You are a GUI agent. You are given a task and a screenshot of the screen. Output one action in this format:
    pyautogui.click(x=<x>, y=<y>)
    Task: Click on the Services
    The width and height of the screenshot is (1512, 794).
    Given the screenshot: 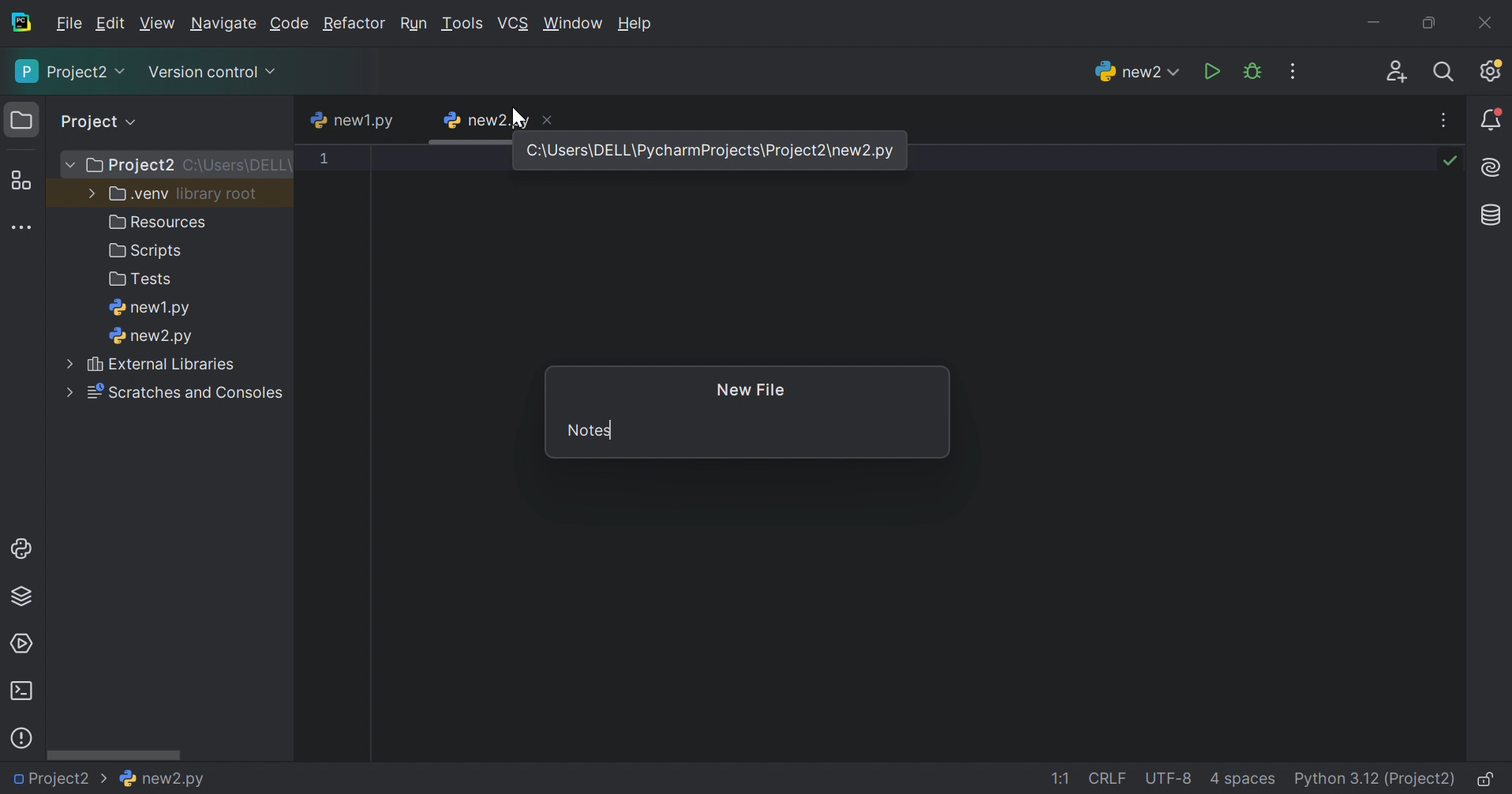 What is the action you would take?
    pyautogui.click(x=23, y=642)
    